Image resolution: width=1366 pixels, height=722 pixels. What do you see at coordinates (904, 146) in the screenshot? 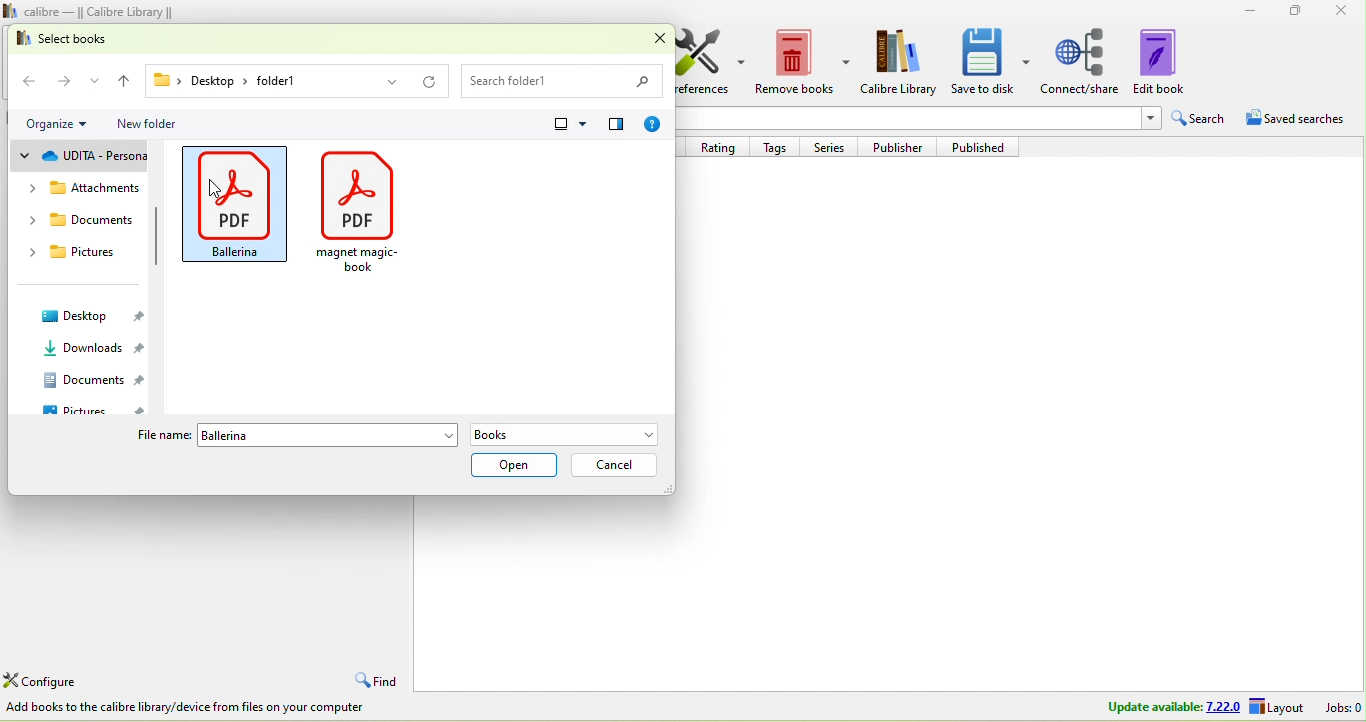
I see `publisher` at bounding box center [904, 146].